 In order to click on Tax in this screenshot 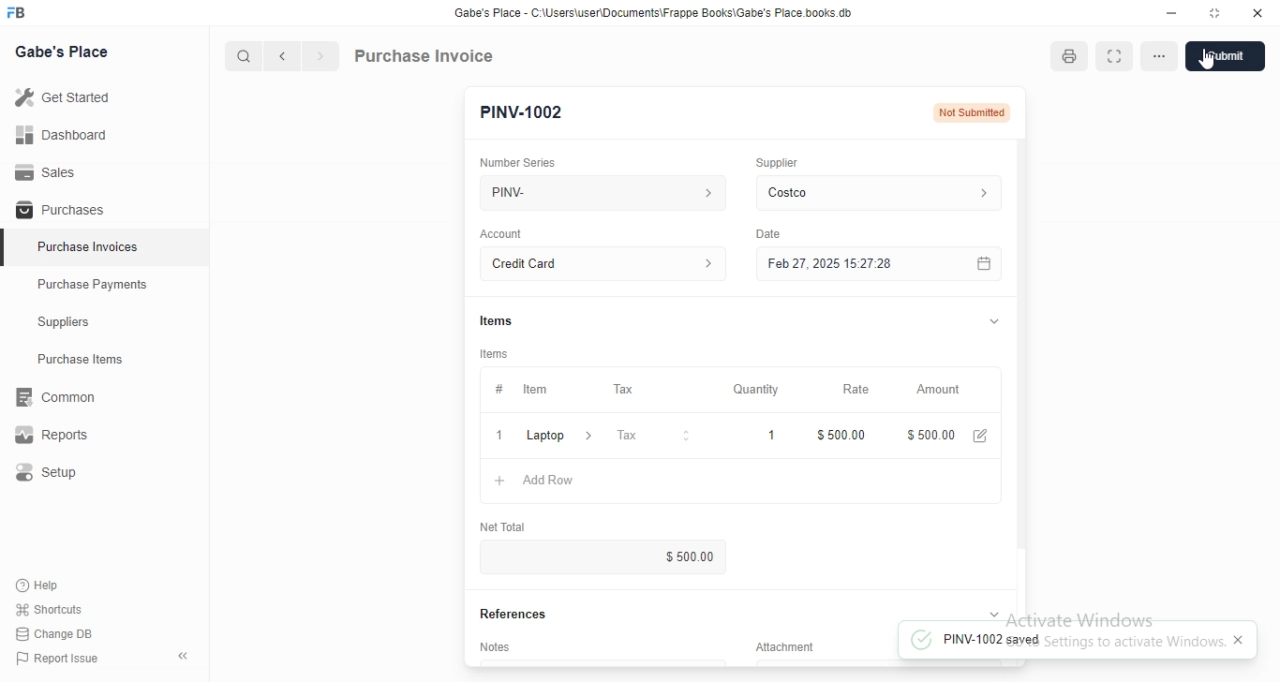, I will do `click(651, 435)`.